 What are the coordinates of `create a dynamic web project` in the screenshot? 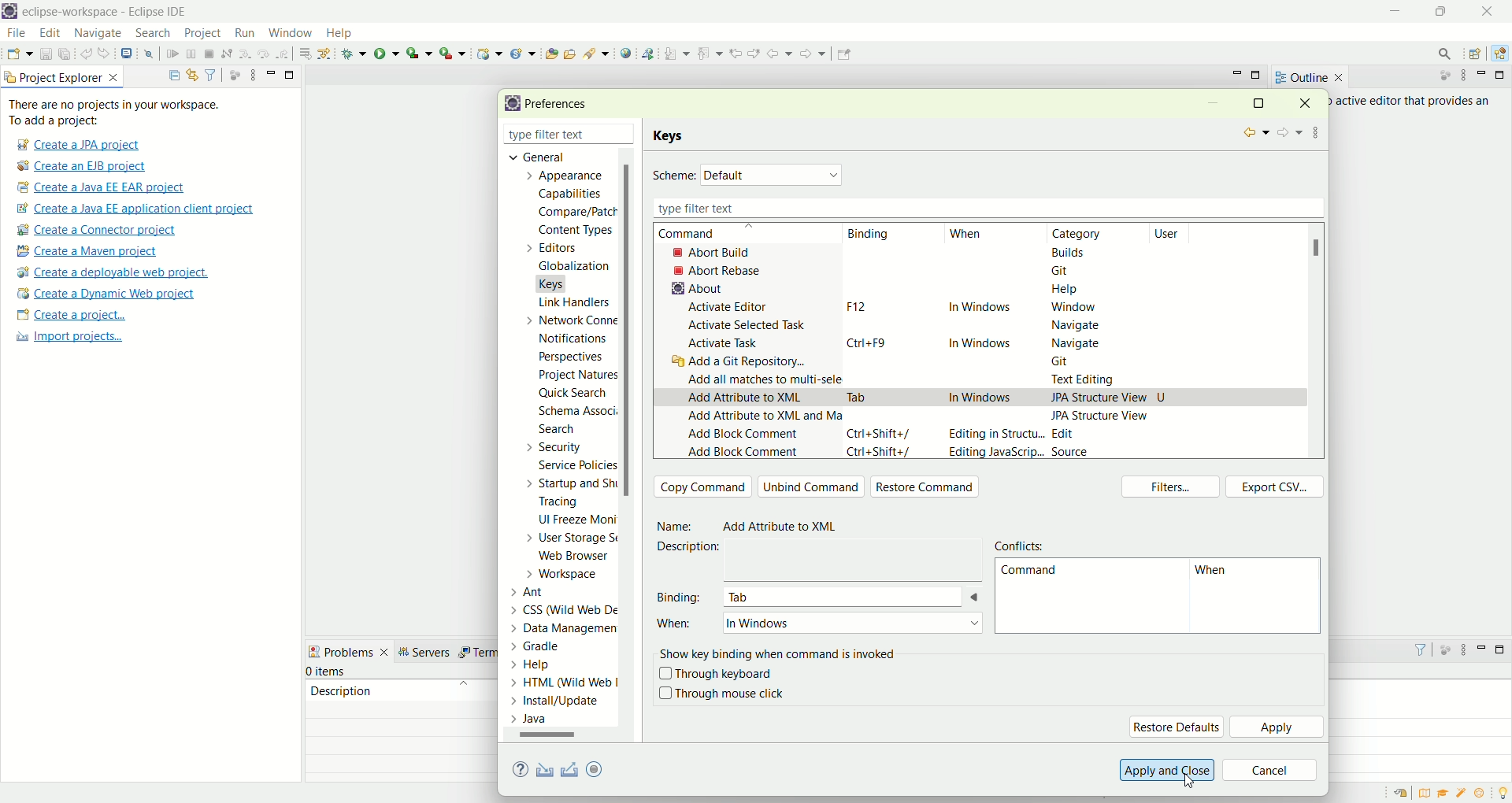 It's located at (487, 52).